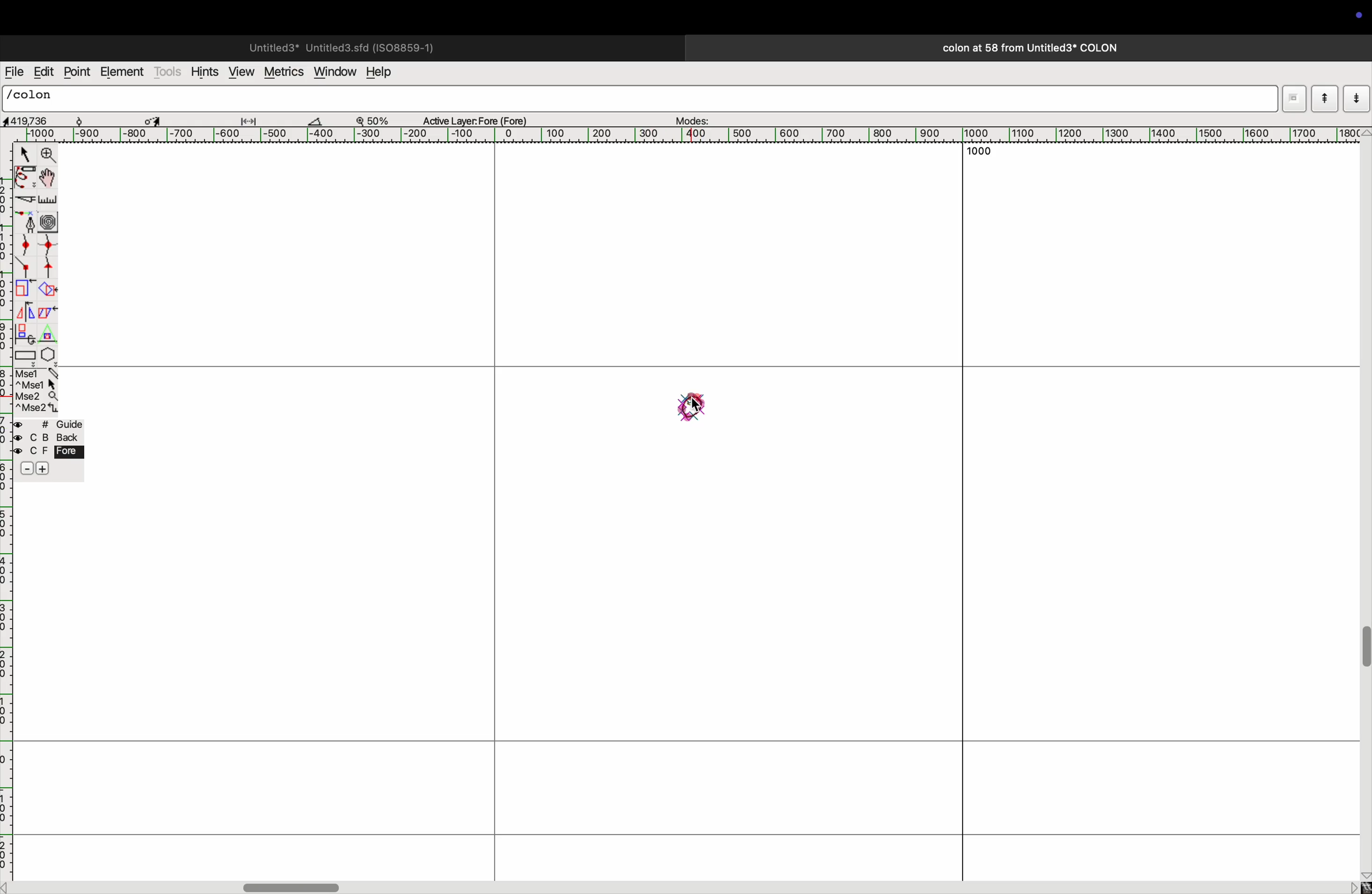 This screenshot has height=894, width=1372. Describe the element at coordinates (22, 153) in the screenshot. I see `cursor` at that location.